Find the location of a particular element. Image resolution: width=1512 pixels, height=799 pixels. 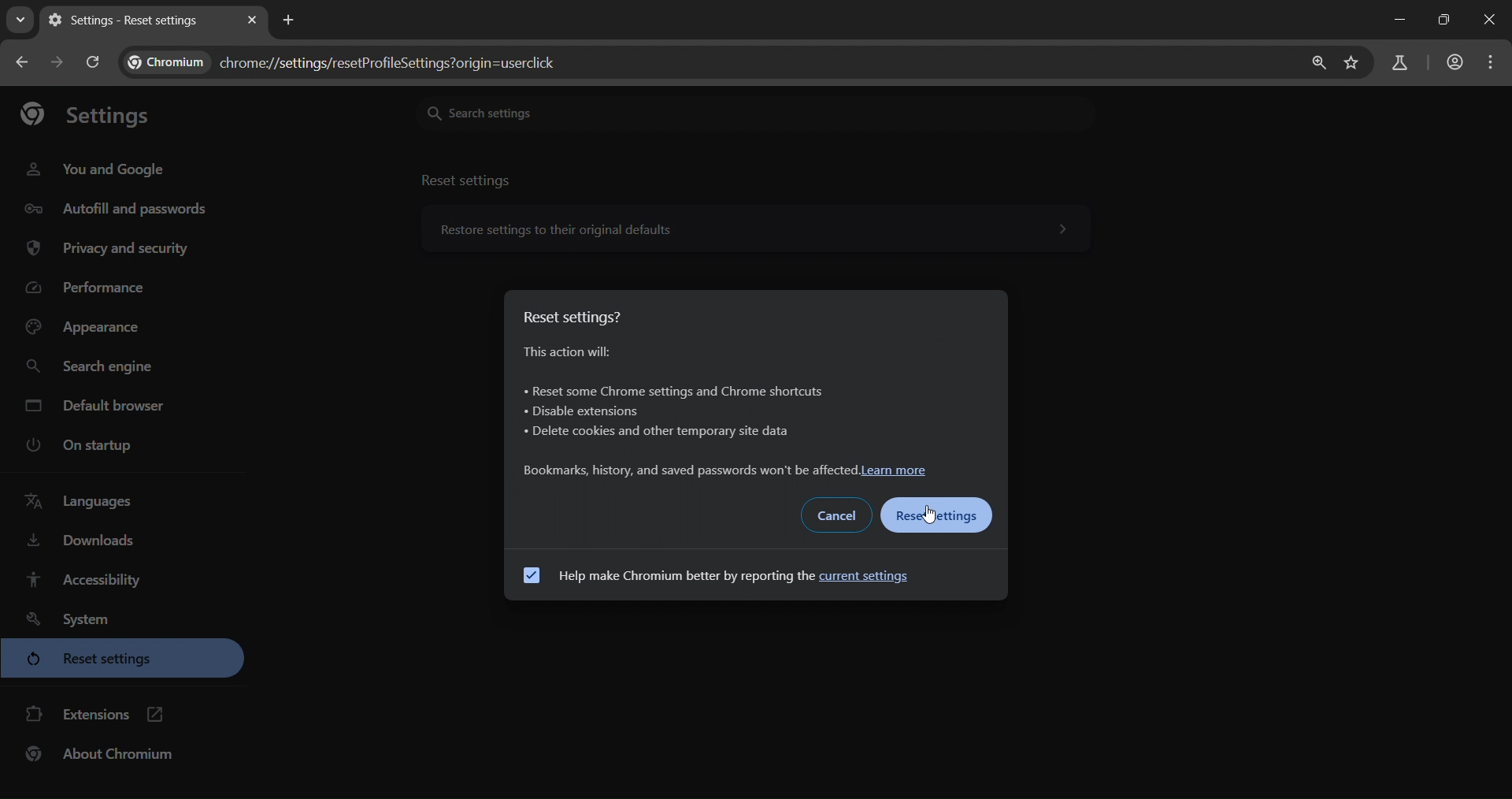

go forward one page is located at coordinates (55, 62).